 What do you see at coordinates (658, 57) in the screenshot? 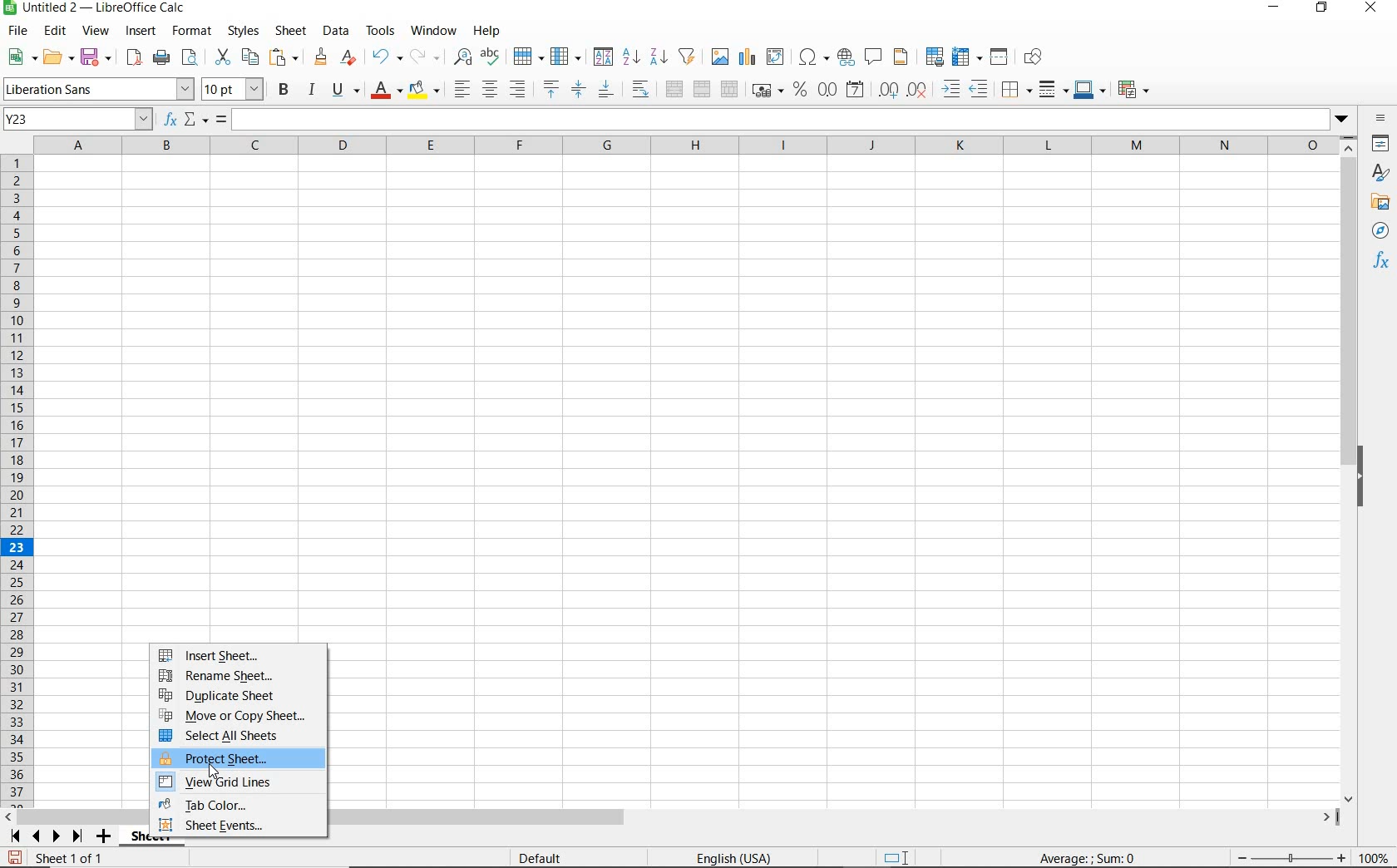
I see `SORT DESCENDING` at bounding box center [658, 57].